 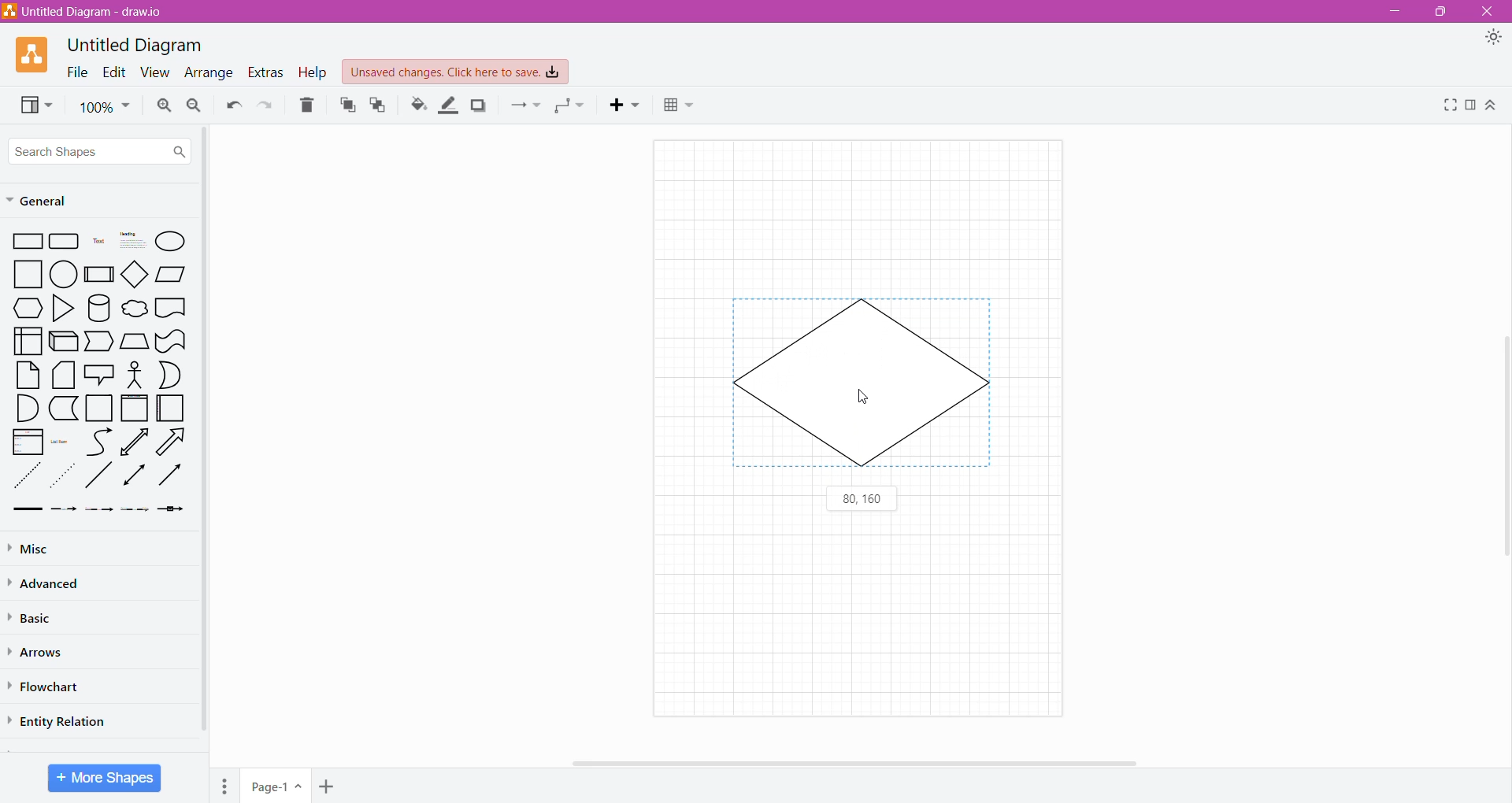 I want to click on Data Storage, so click(x=65, y=408).